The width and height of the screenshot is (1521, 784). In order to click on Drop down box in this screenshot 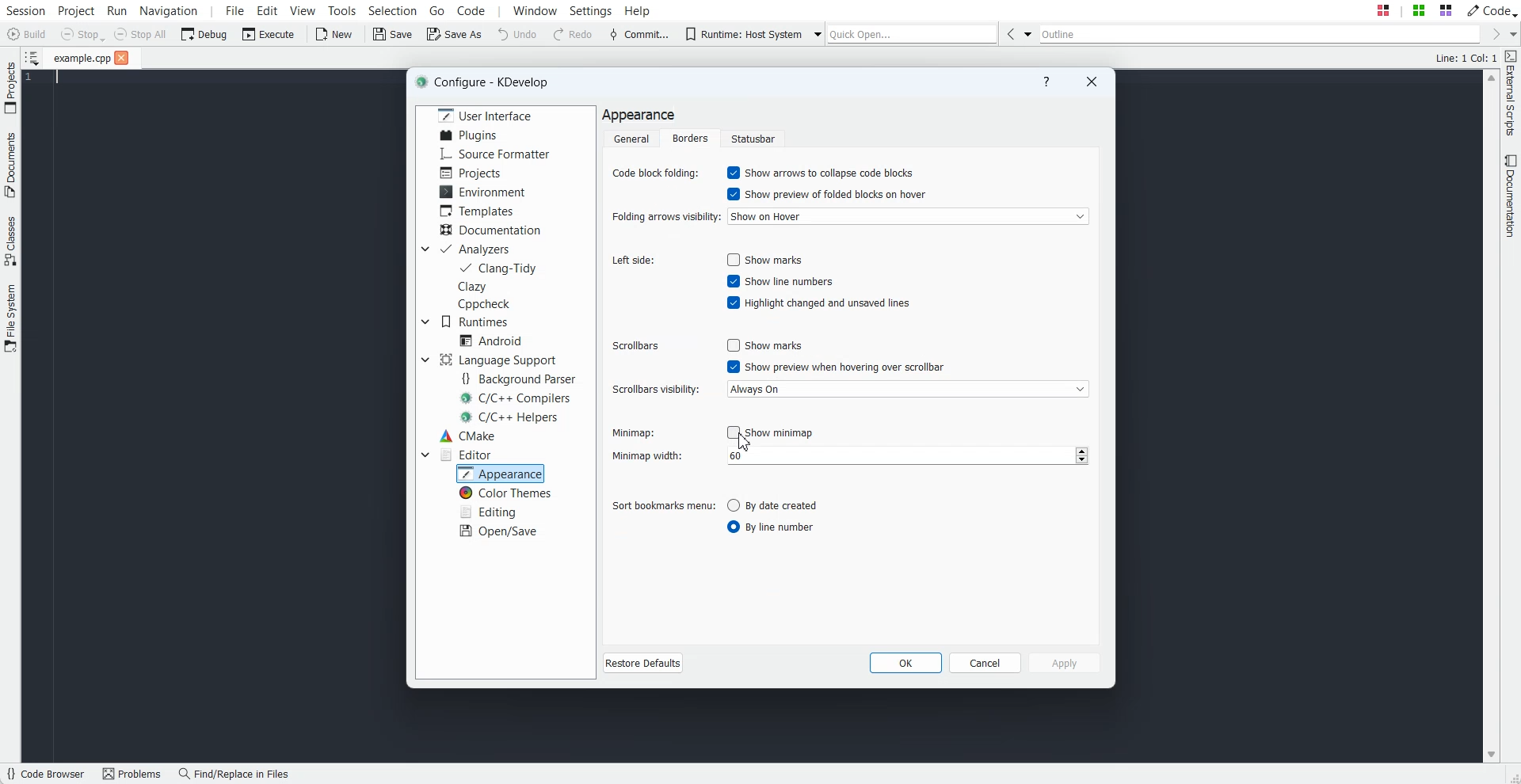, I will do `click(1028, 33)`.